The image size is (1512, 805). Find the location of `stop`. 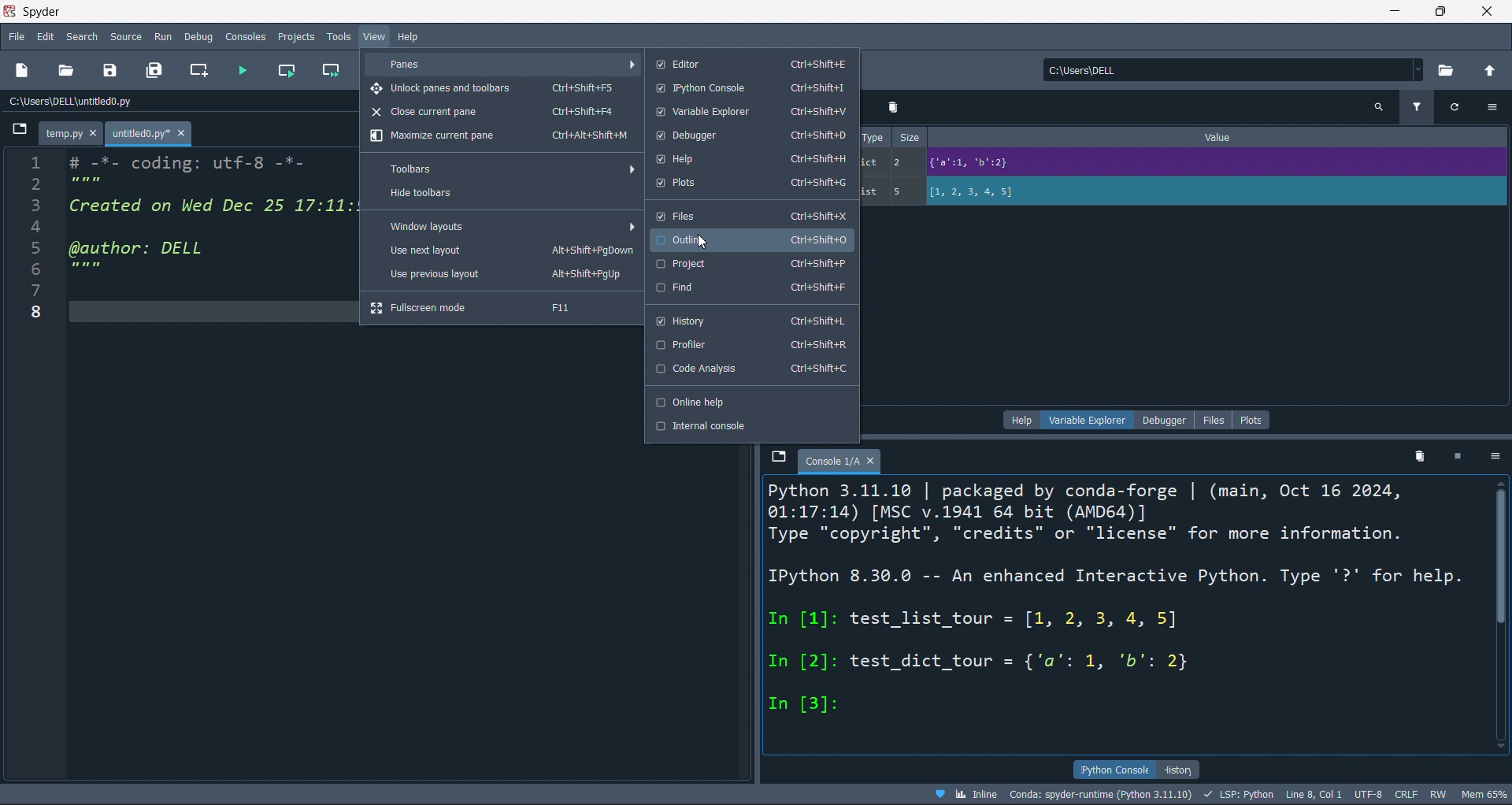

stop is located at coordinates (1464, 456).